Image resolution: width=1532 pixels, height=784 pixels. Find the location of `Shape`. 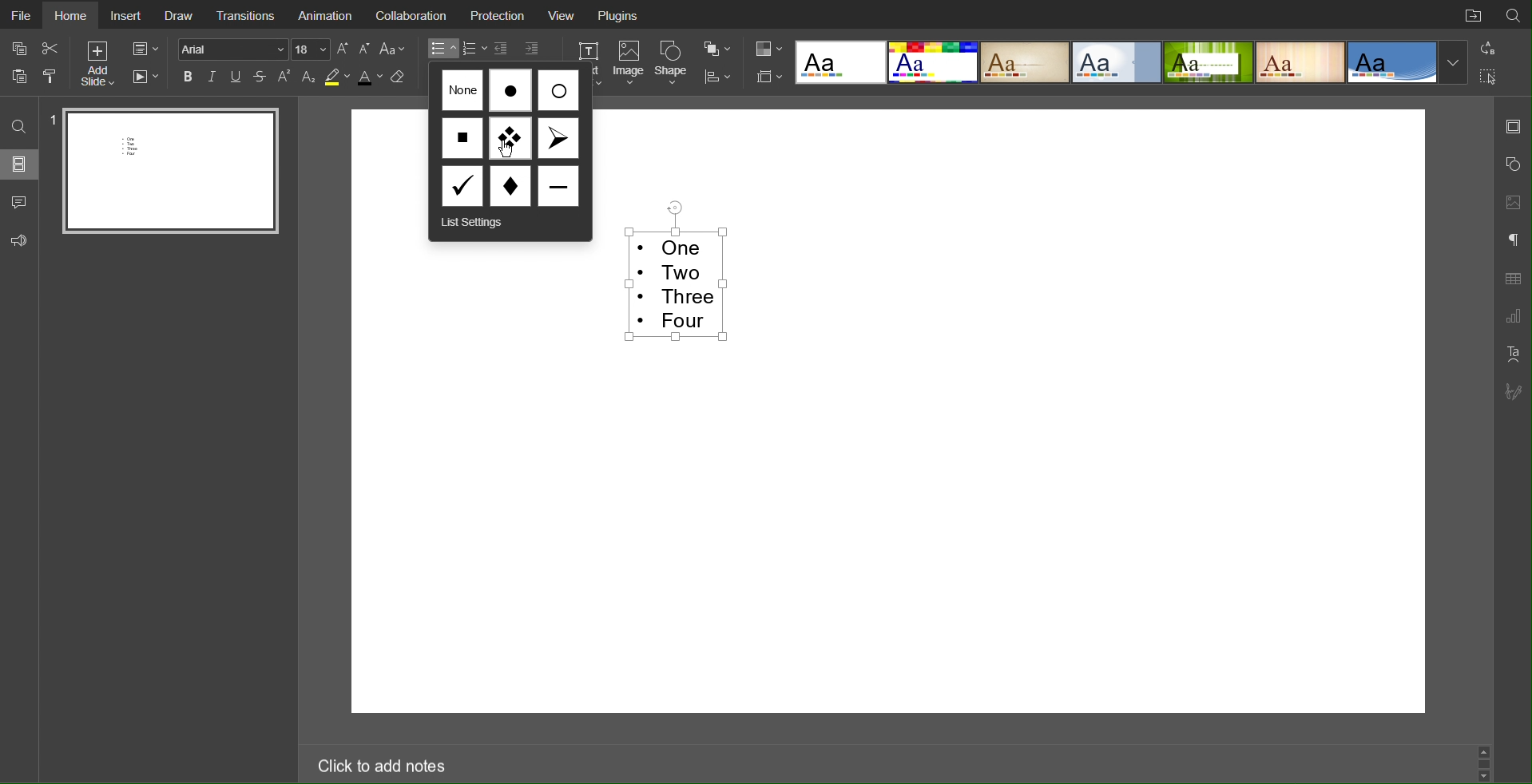

Shape is located at coordinates (675, 66).